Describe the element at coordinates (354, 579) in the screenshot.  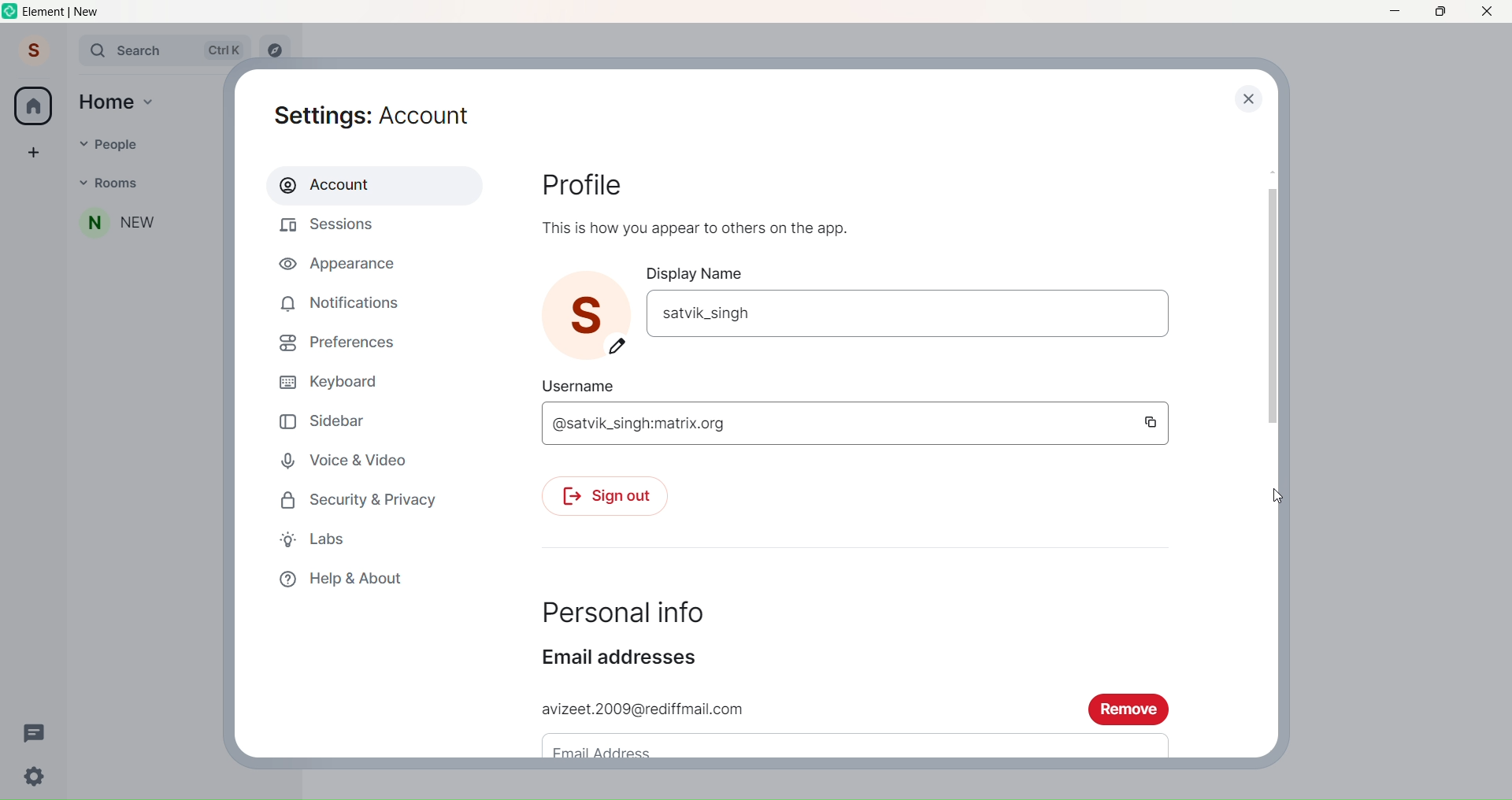
I see `Help & About` at that location.